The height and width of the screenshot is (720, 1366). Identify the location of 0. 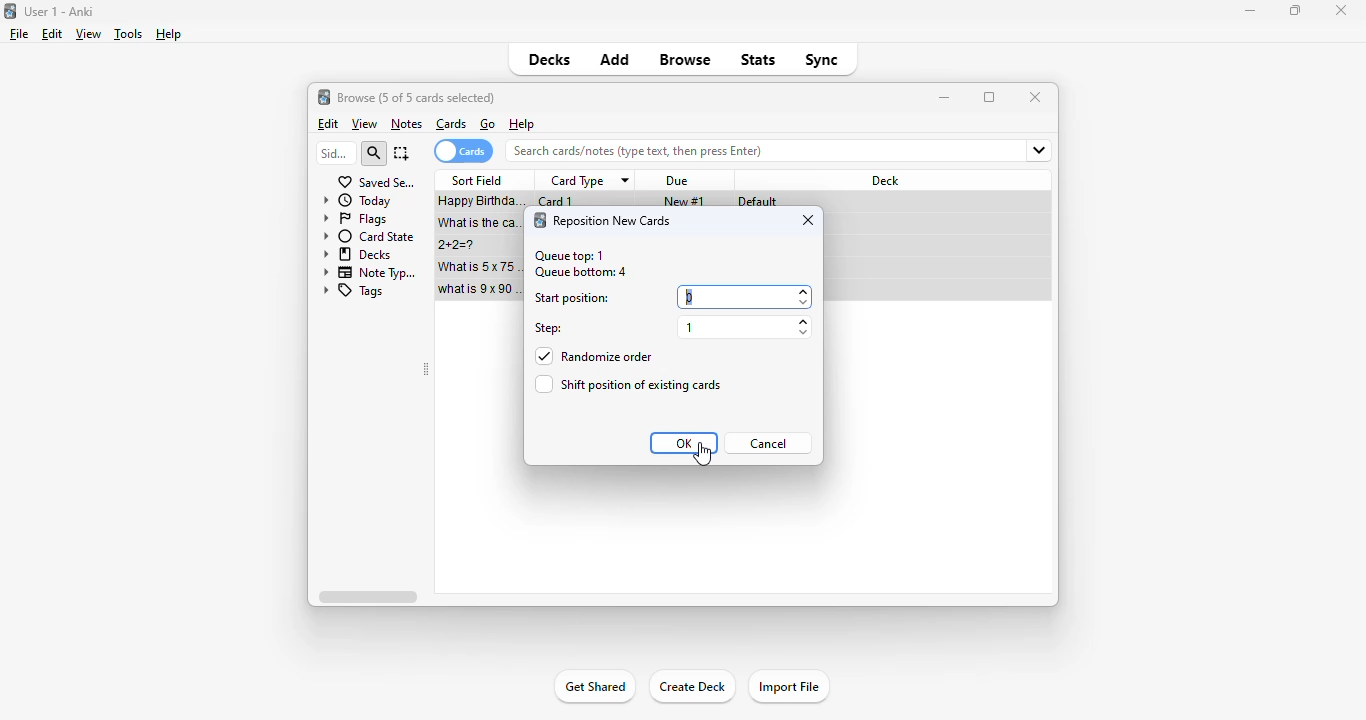
(744, 297).